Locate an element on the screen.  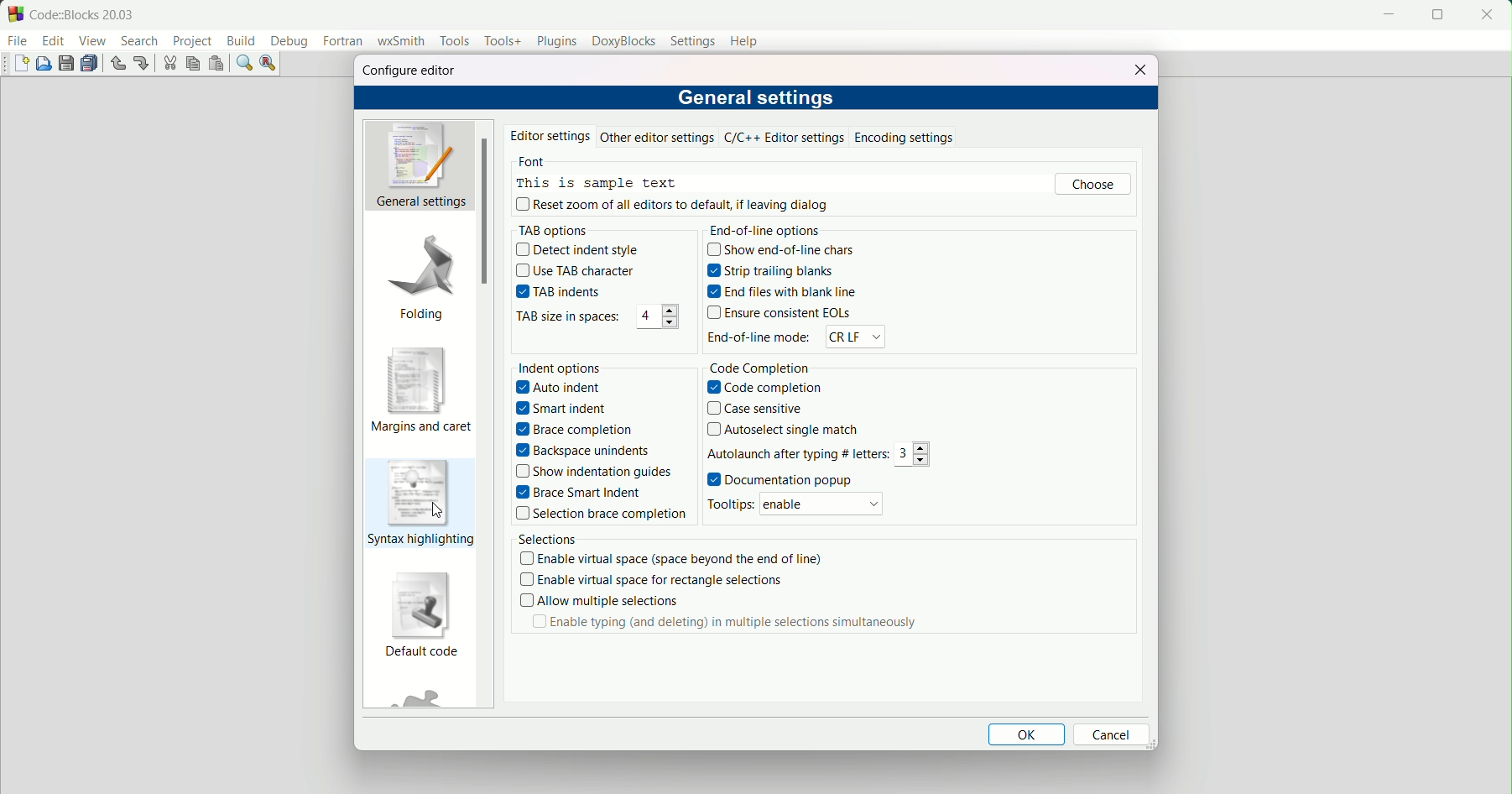
close is located at coordinates (1487, 15).